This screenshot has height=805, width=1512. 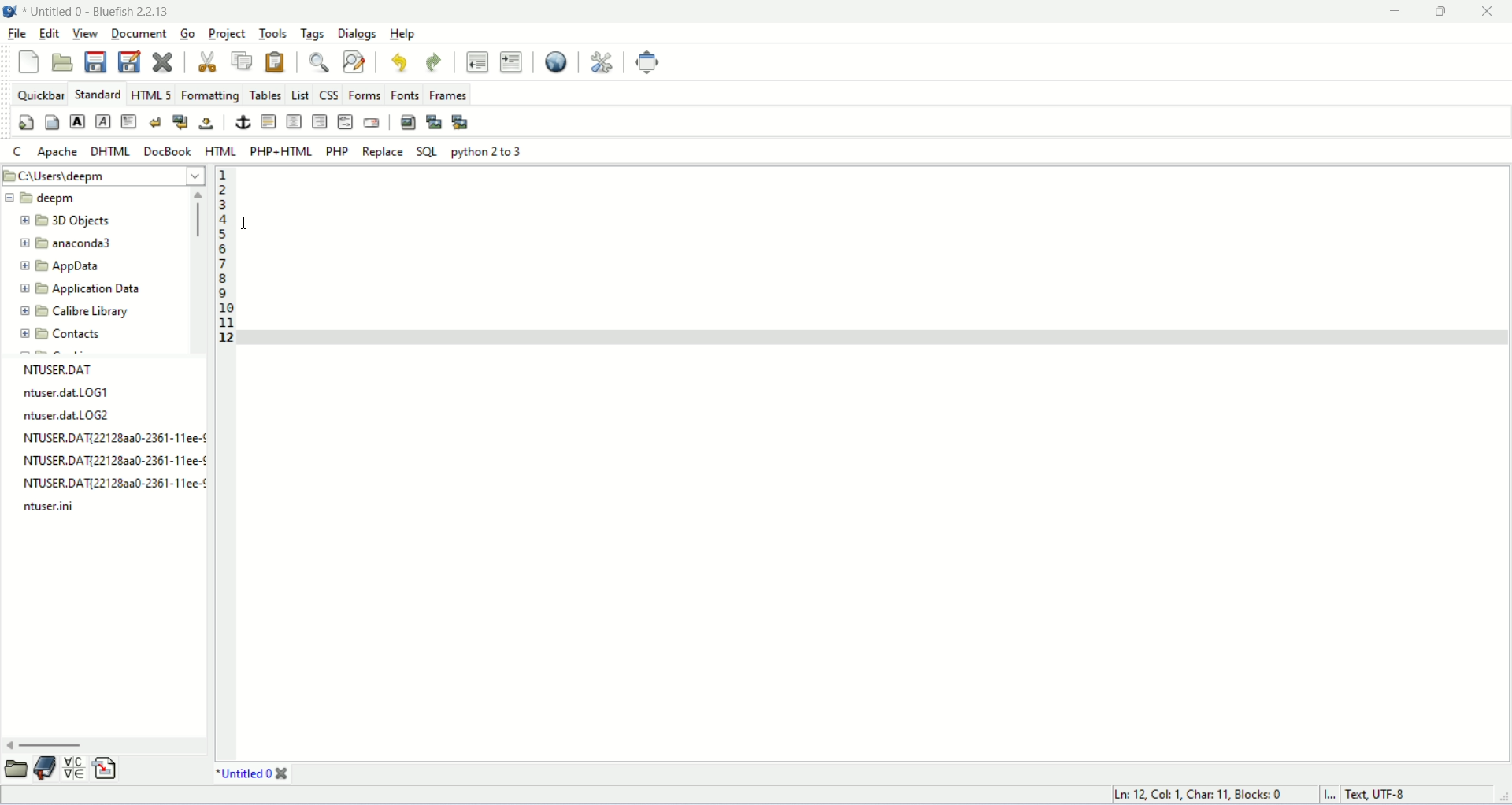 I want to click on anchor, so click(x=243, y=122).